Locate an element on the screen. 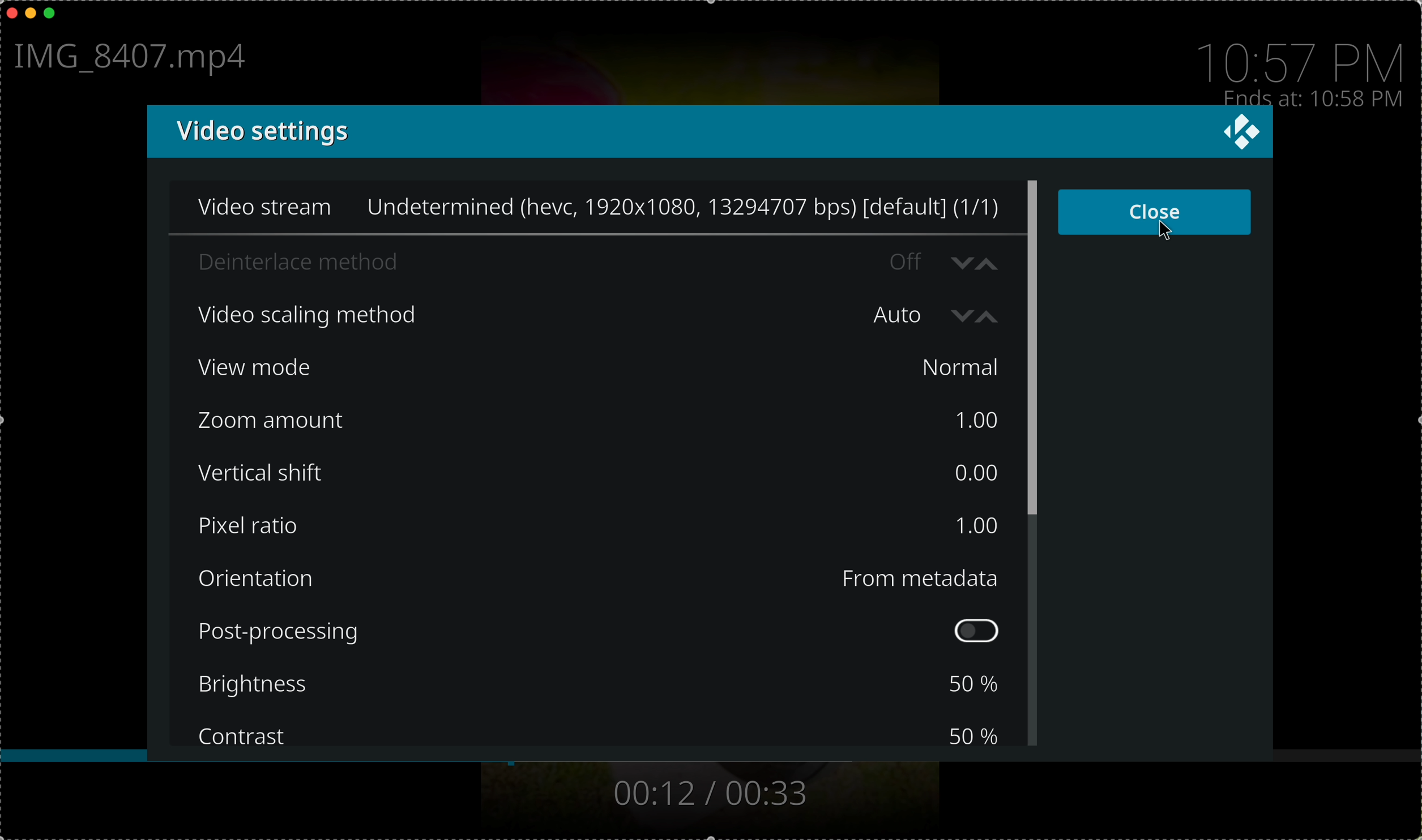  zoom amount  1.00 is located at coordinates (601, 422).